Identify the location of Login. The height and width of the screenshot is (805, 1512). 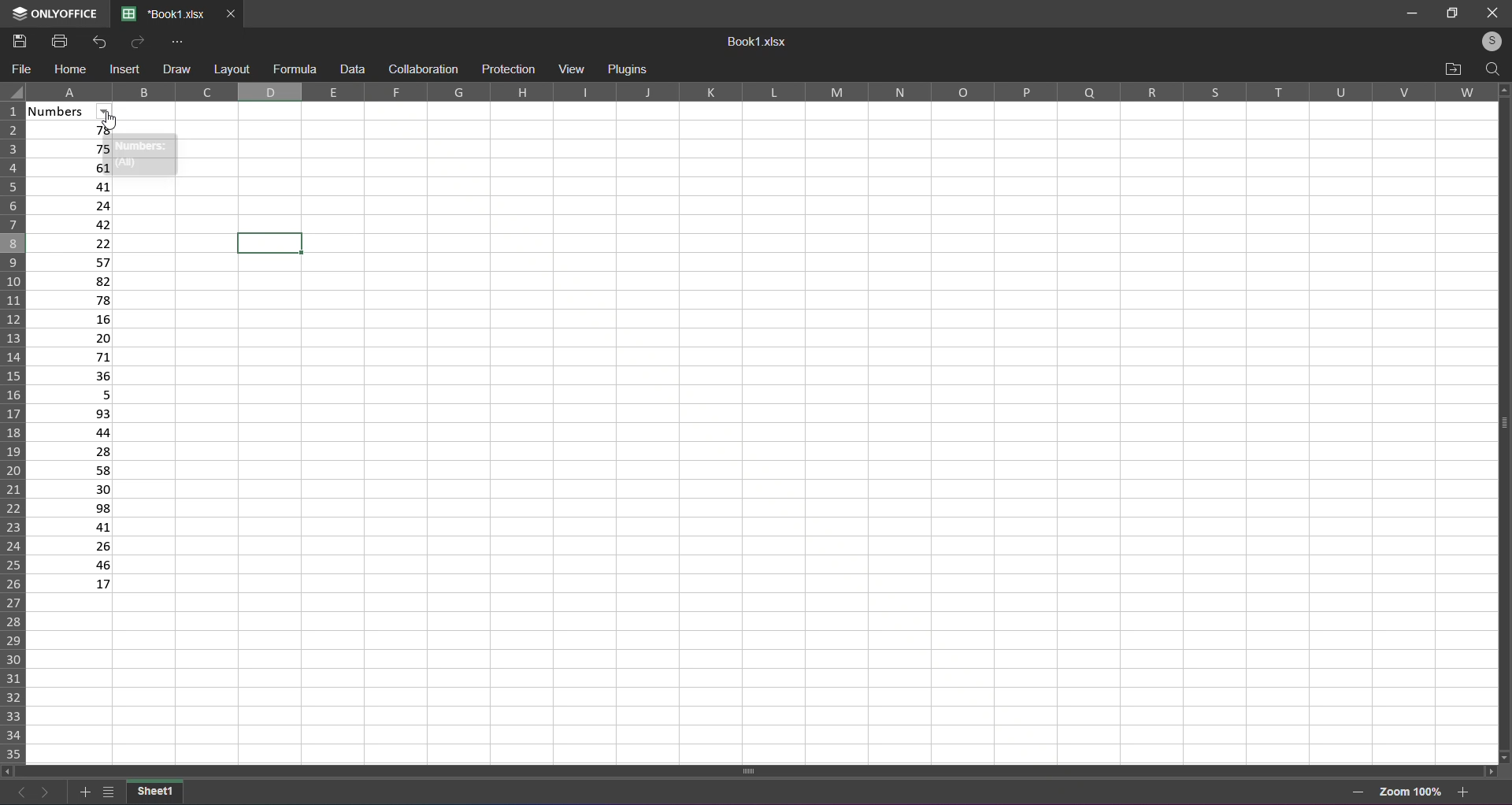
(1486, 42).